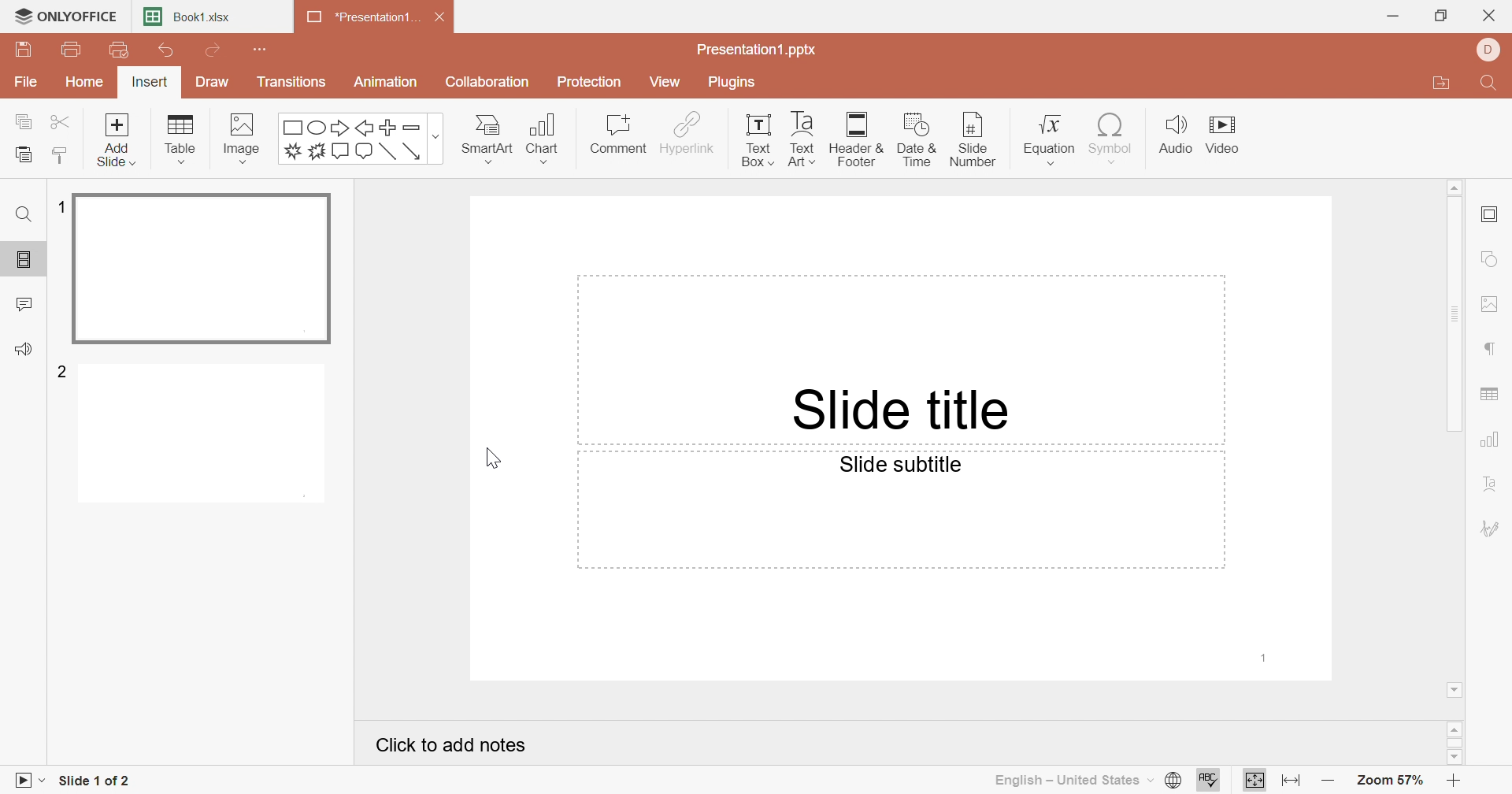  Describe the element at coordinates (1255, 780) in the screenshot. I see `Fit to slide` at that location.